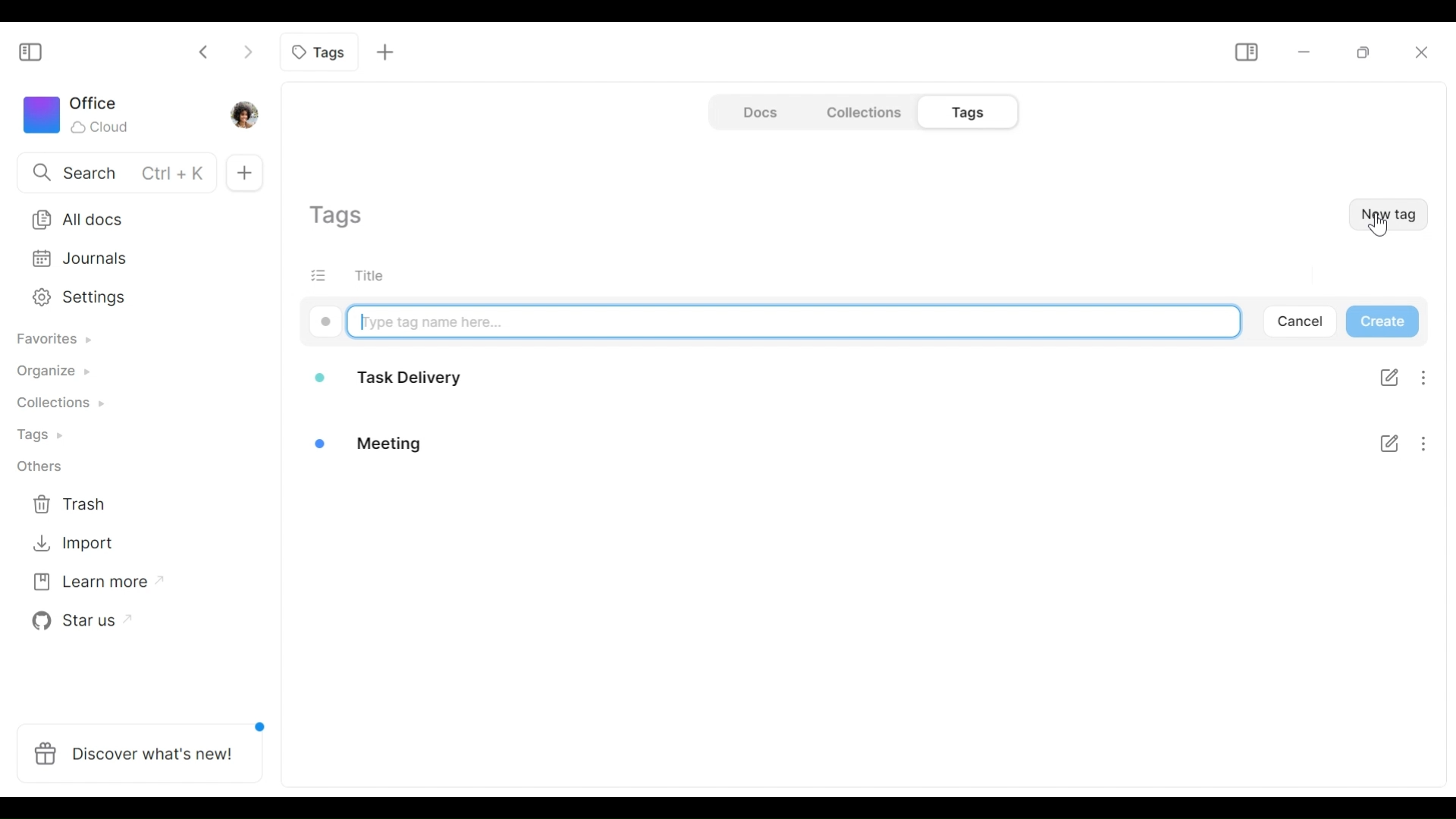 The width and height of the screenshot is (1456, 819). I want to click on Click to go back, so click(206, 52).